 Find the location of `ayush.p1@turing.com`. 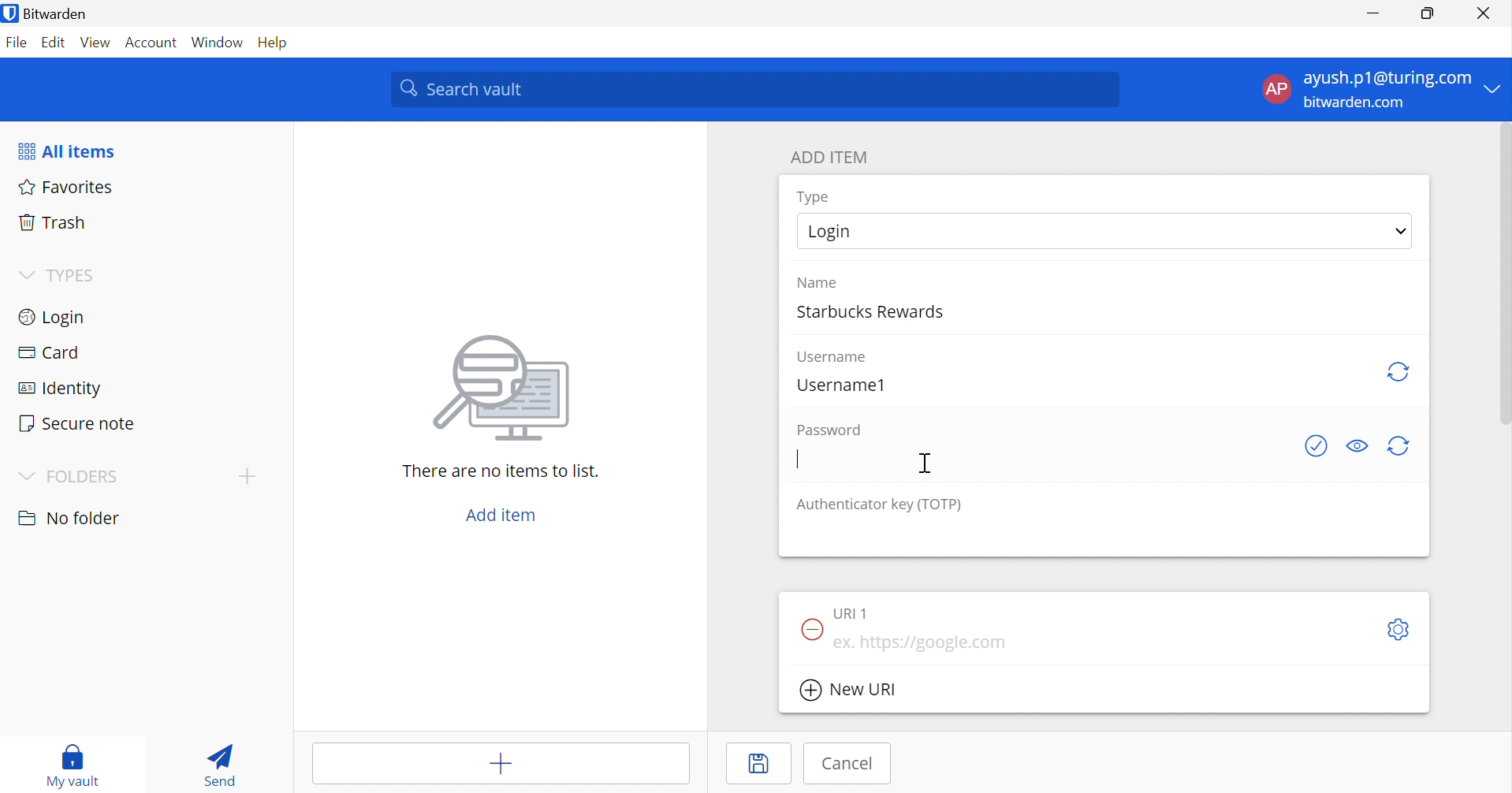

ayush.p1@turing.com is located at coordinates (1387, 77).